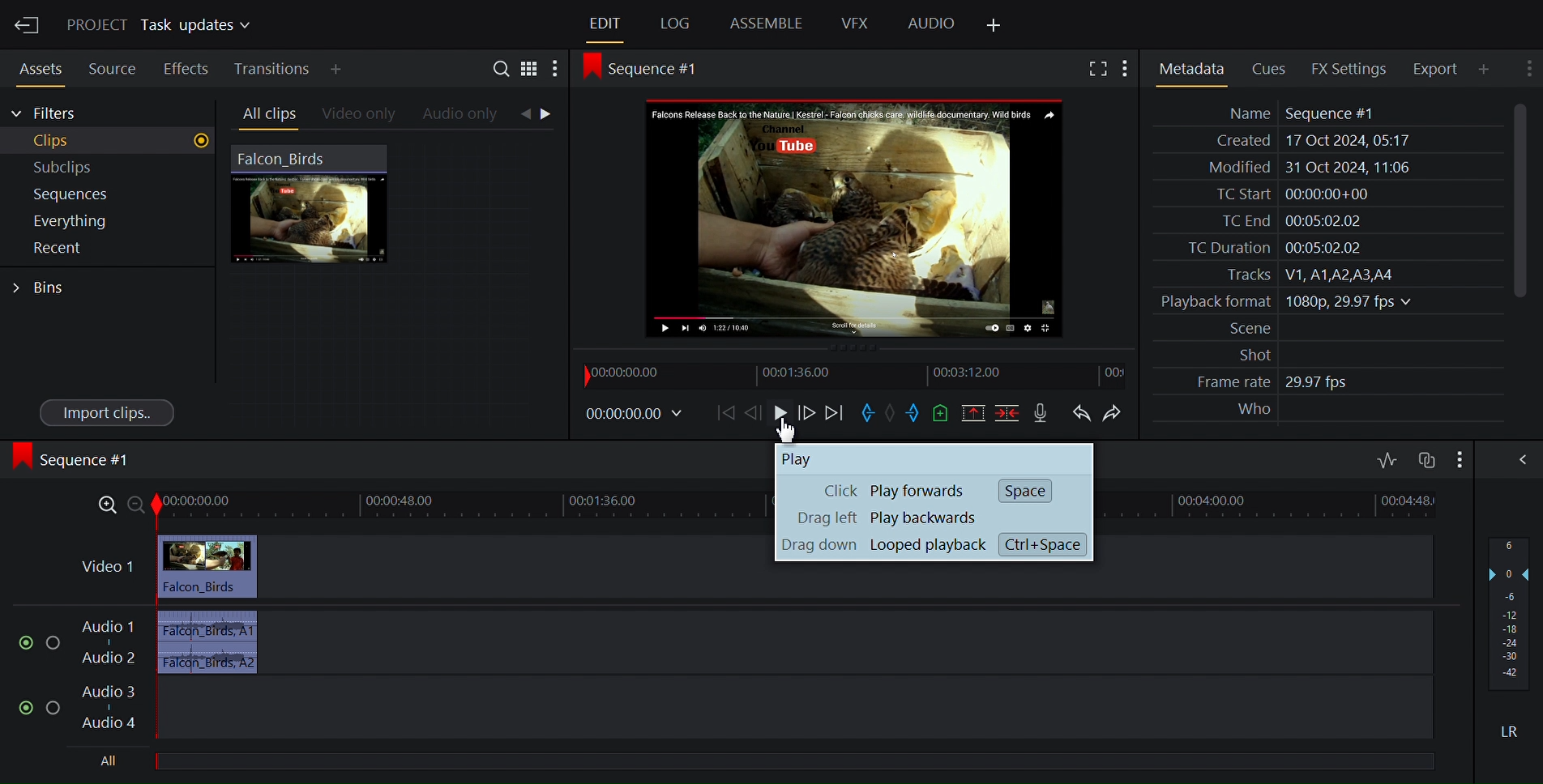  What do you see at coordinates (803, 763) in the screenshot?
I see `All ` at bounding box center [803, 763].